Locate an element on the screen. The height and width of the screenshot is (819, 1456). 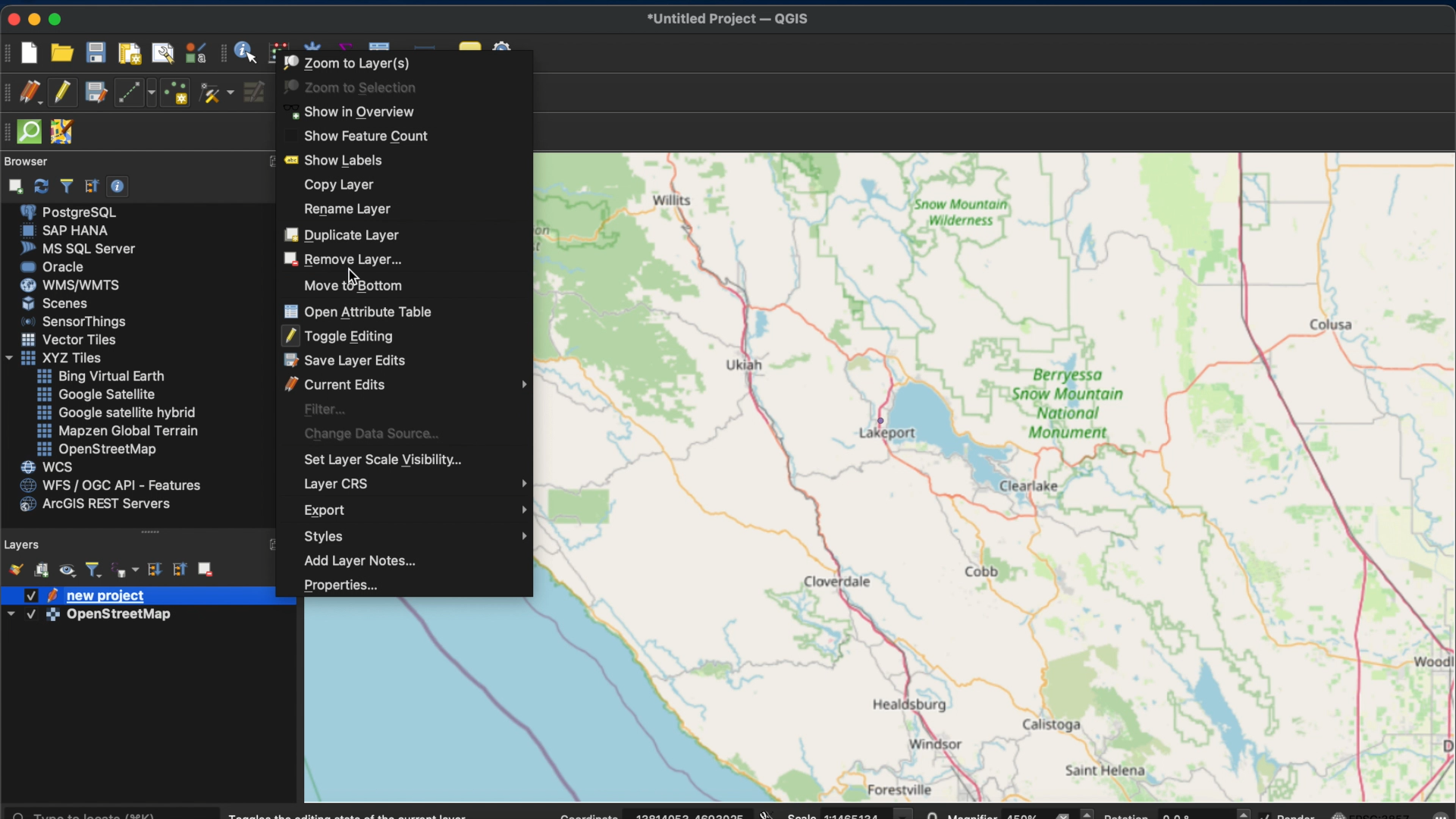
mapzen global terrain is located at coordinates (116, 431).